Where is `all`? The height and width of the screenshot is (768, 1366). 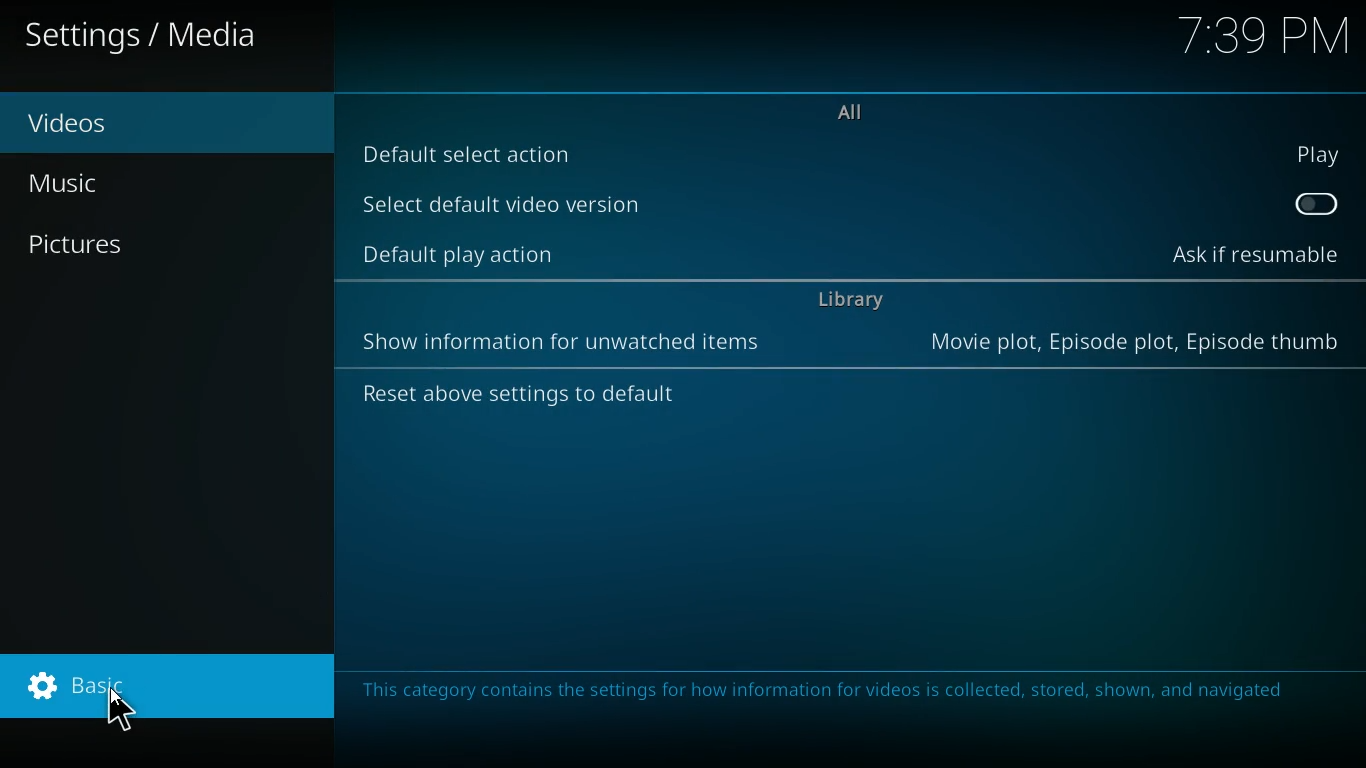 all is located at coordinates (848, 111).